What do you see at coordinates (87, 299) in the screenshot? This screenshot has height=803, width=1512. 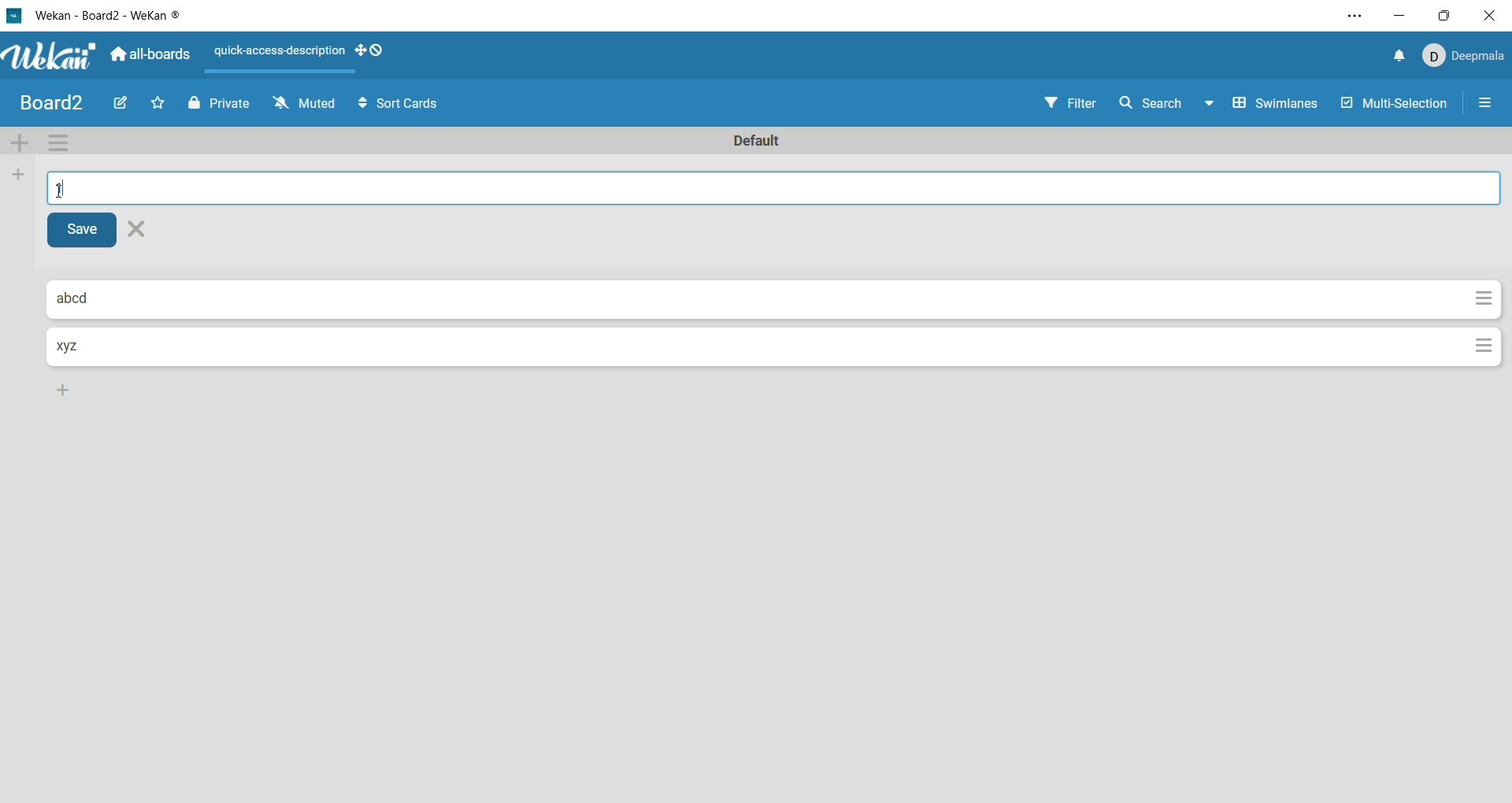 I see `list title` at bounding box center [87, 299].